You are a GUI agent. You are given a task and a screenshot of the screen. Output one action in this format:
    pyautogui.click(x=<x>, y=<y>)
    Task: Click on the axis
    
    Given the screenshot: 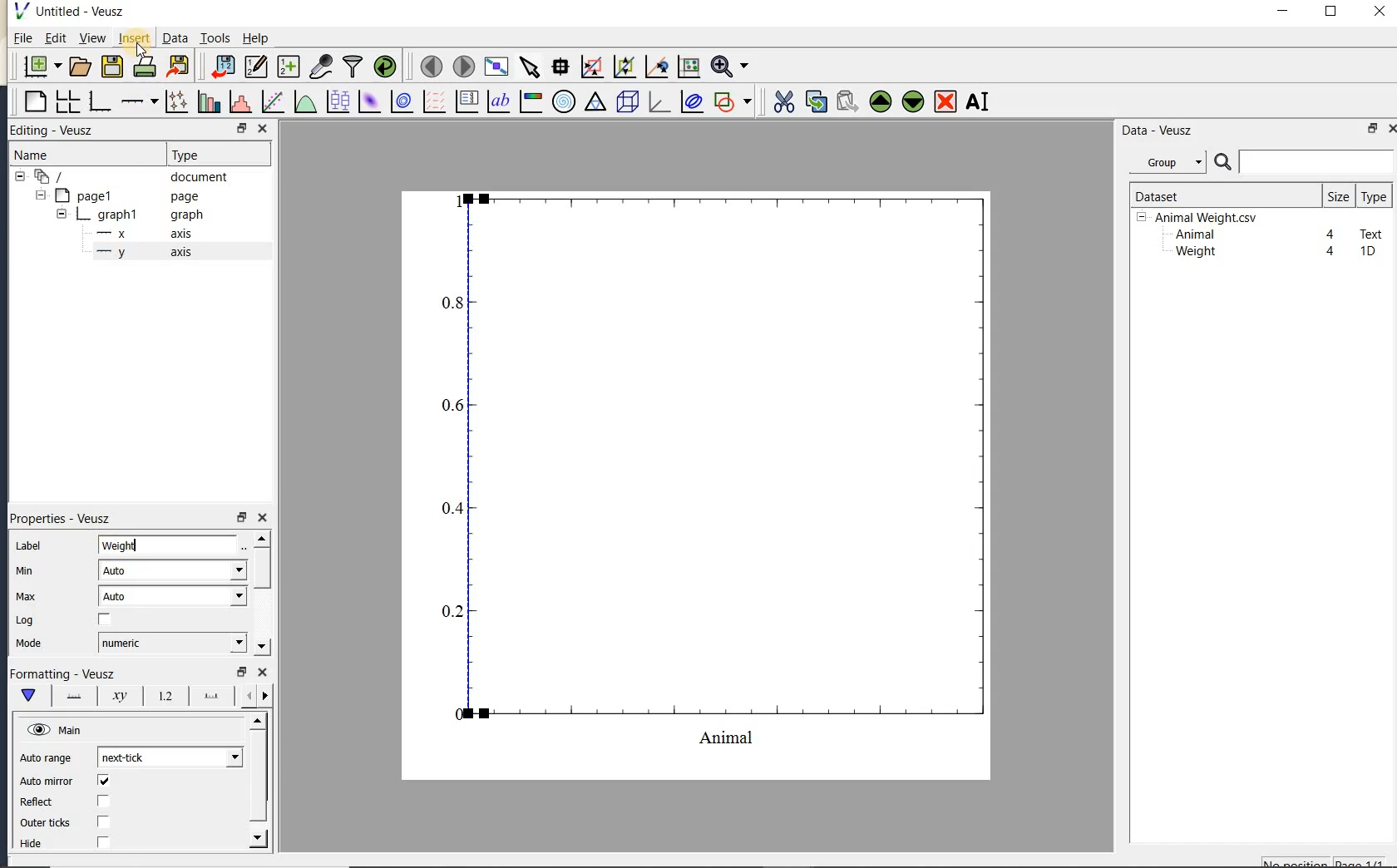 What is the action you would take?
    pyautogui.click(x=140, y=234)
    